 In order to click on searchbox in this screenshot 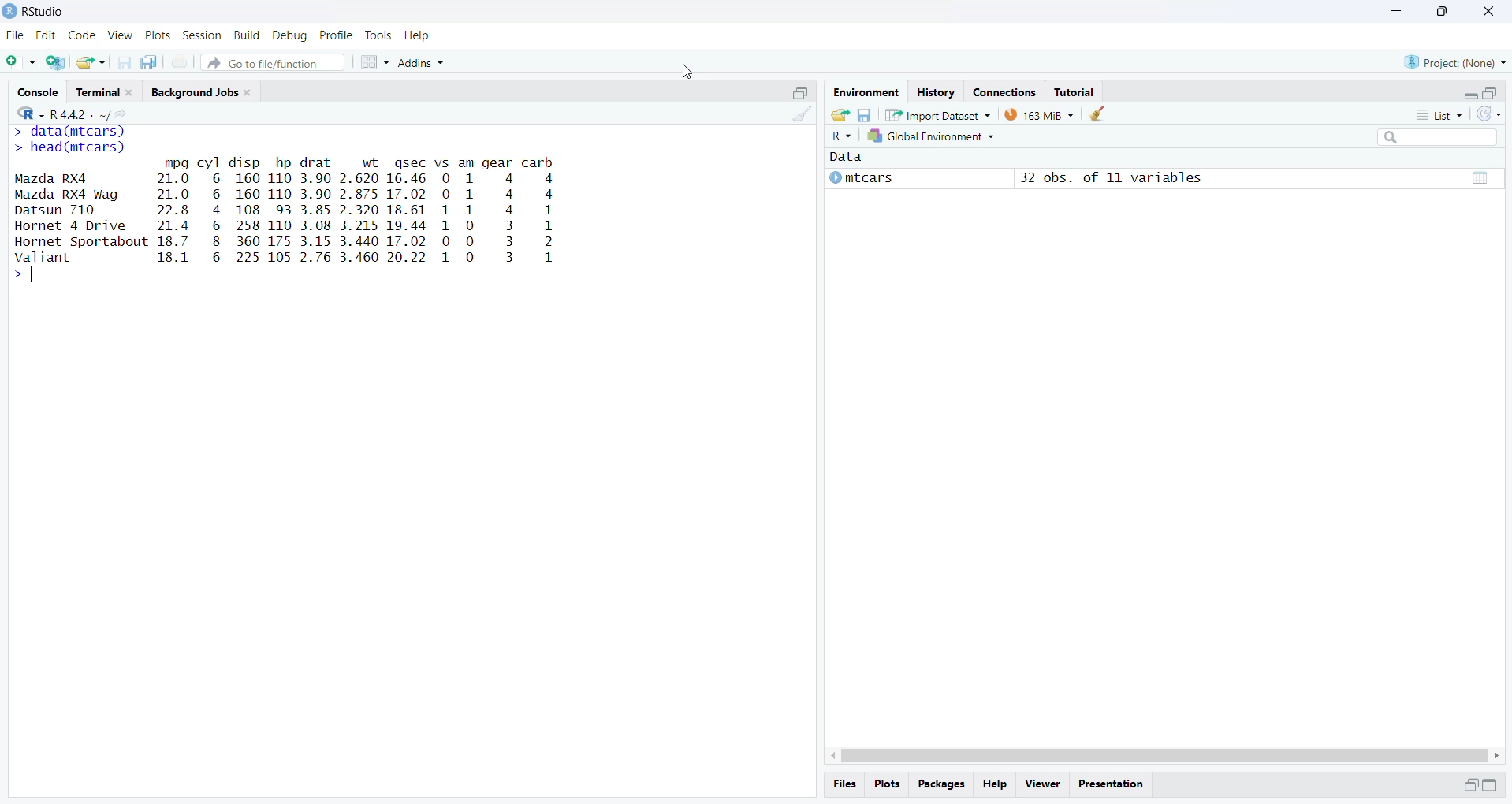, I will do `click(1439, 136)`.